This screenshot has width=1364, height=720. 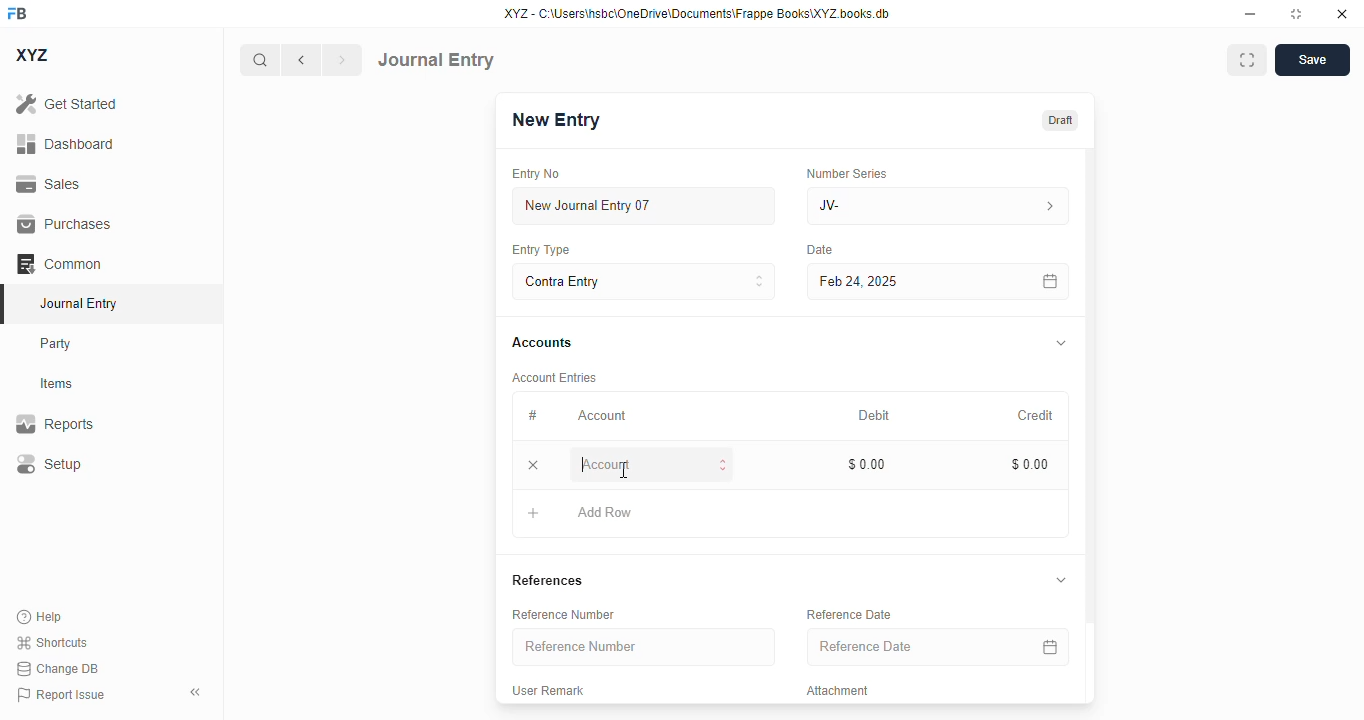 What do you see at coordinates (534, 465) in the screenshot?
I see `remove` at bounding box center [534, 465].